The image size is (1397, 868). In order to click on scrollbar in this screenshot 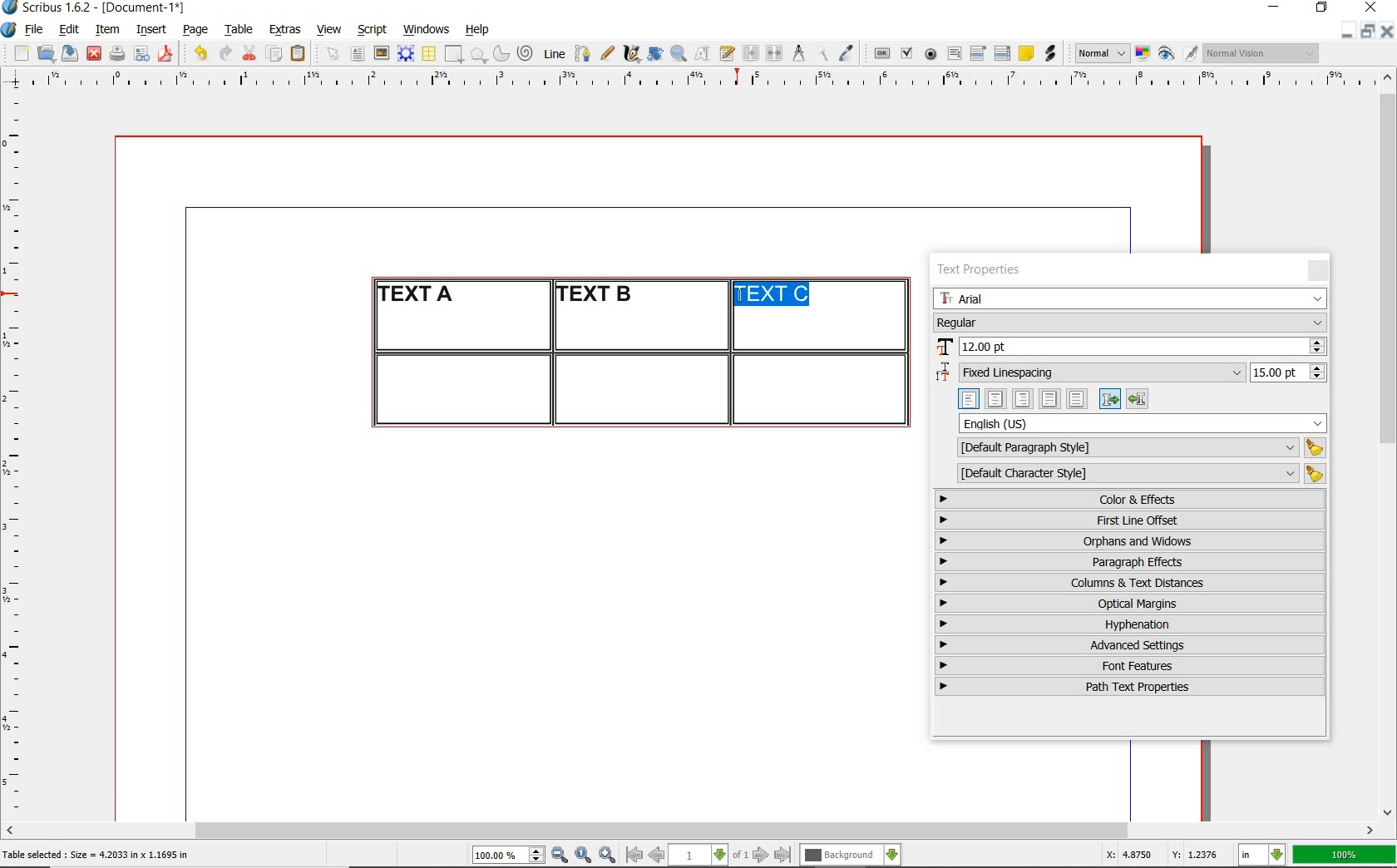, I will do `click(690, 832)`.